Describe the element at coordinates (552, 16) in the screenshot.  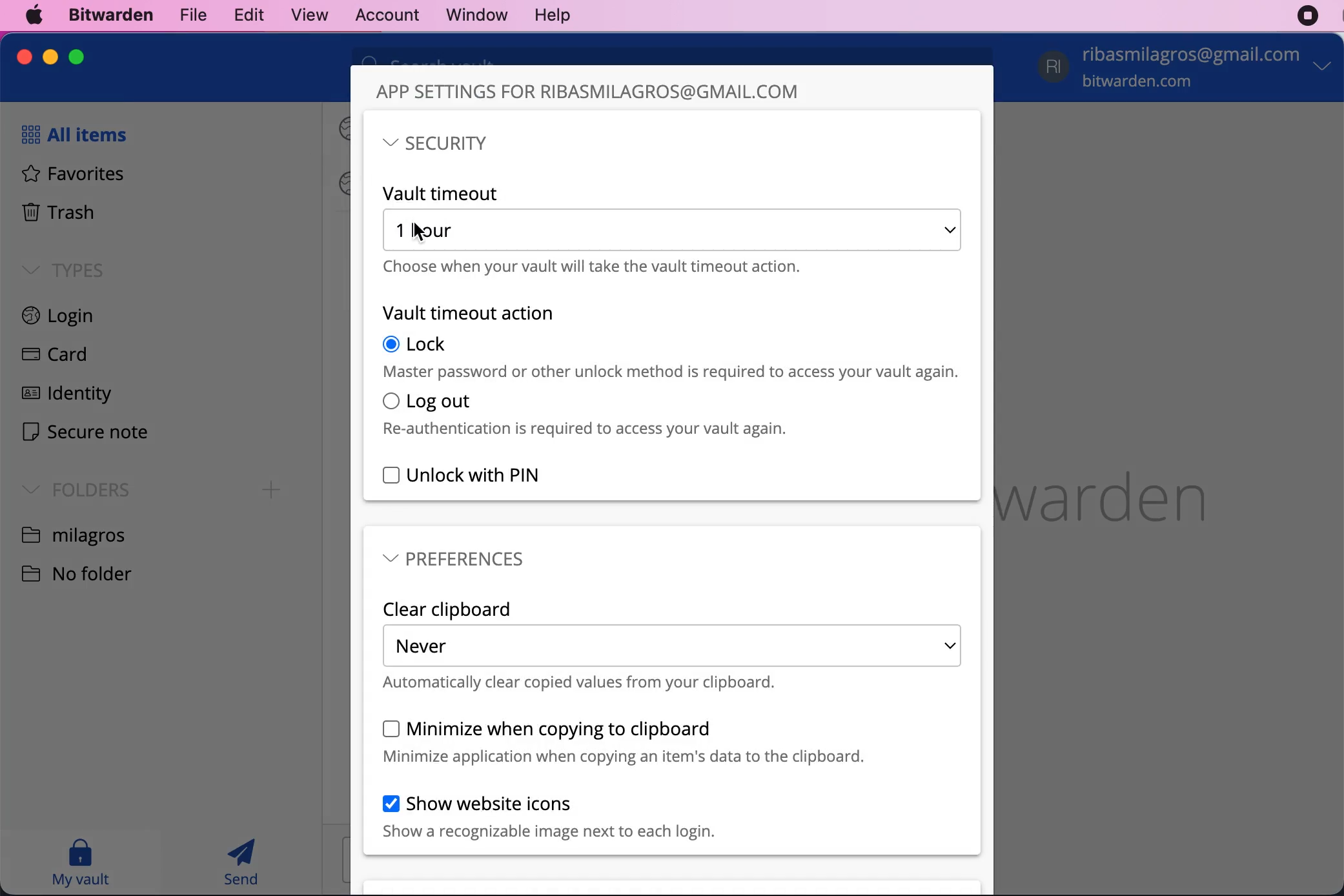
I see `help` at that location.